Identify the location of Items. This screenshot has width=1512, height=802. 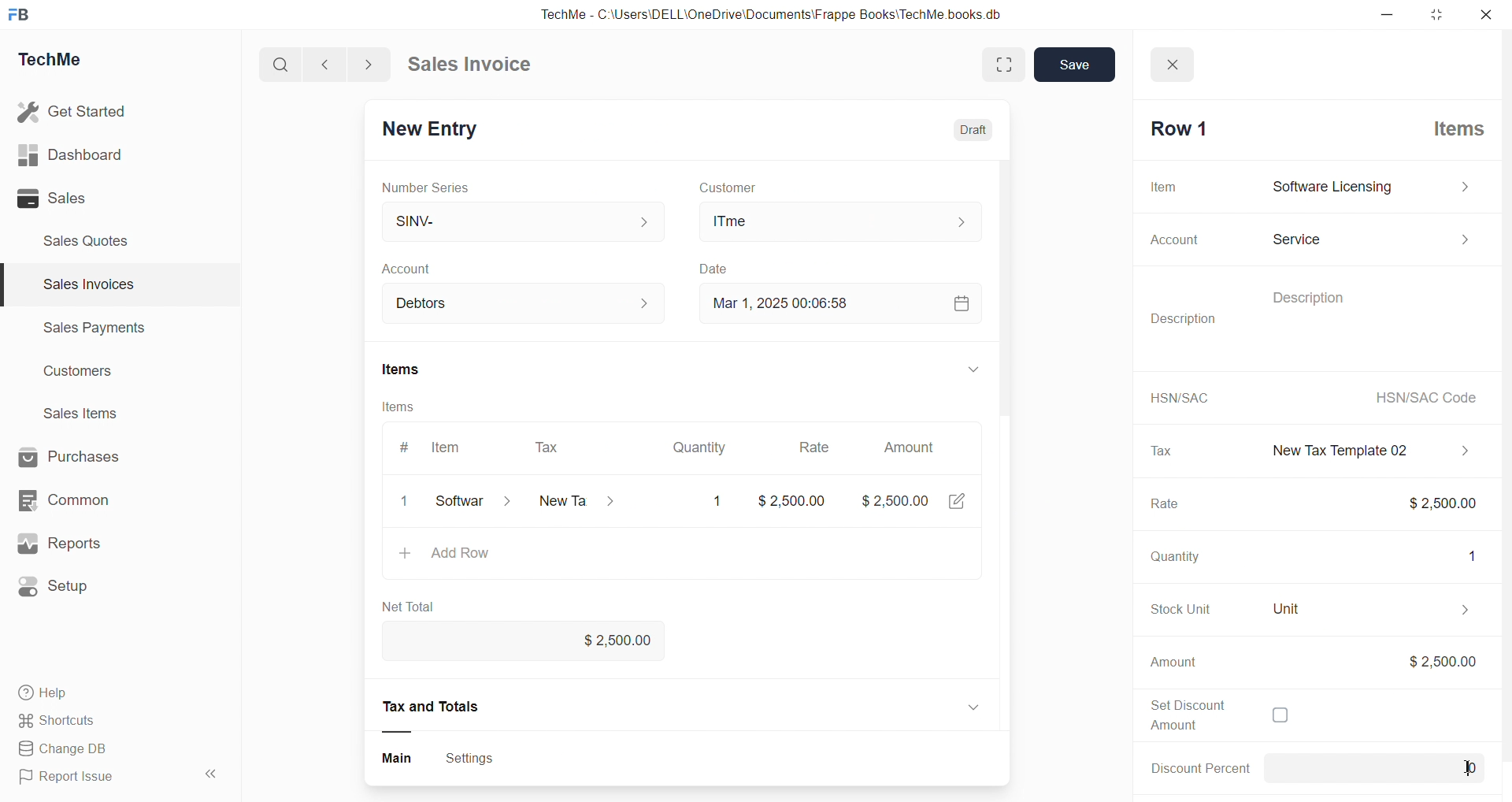
(409, 366).